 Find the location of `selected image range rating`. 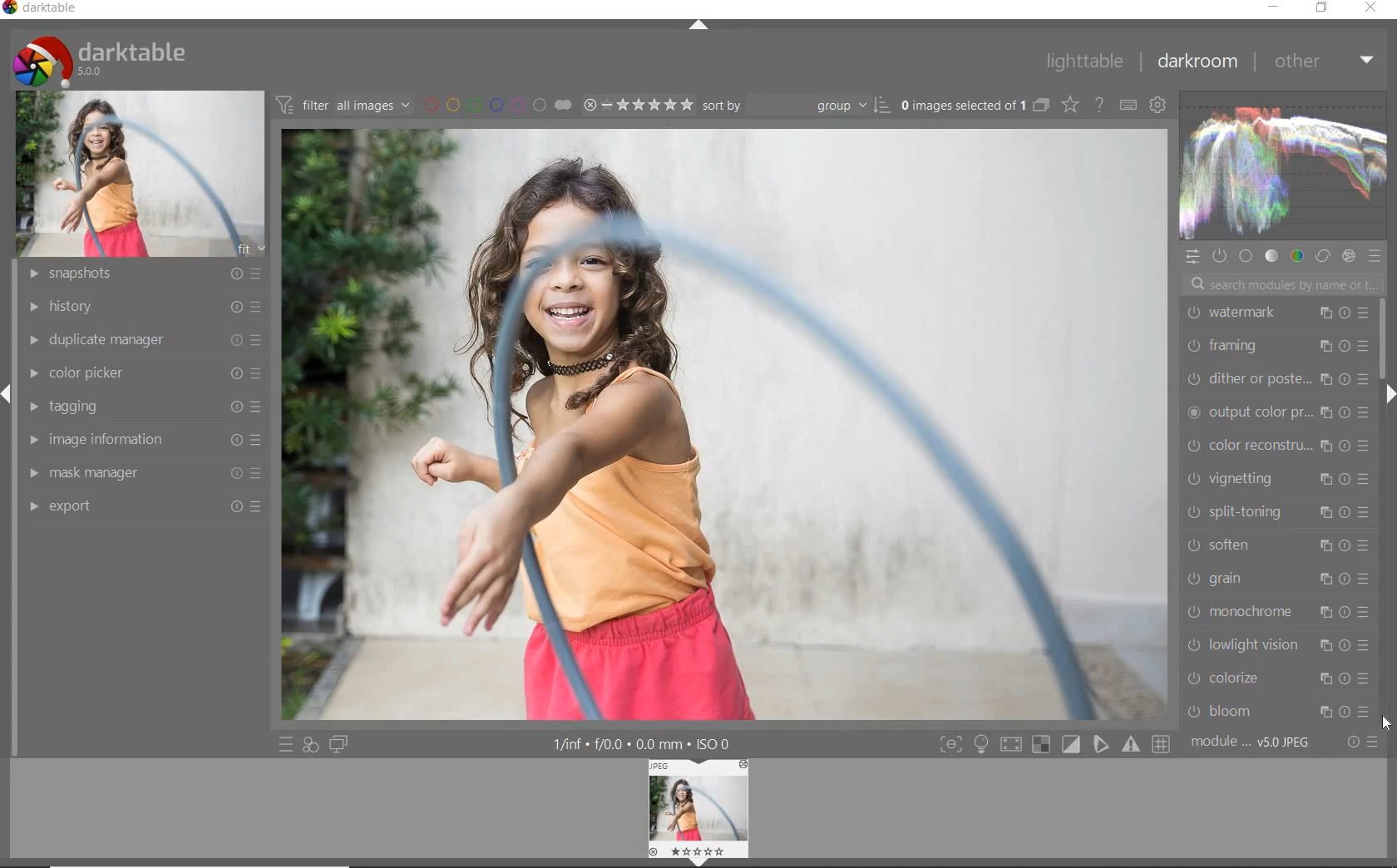

selected image range rating is located at coordinates (637, 103).